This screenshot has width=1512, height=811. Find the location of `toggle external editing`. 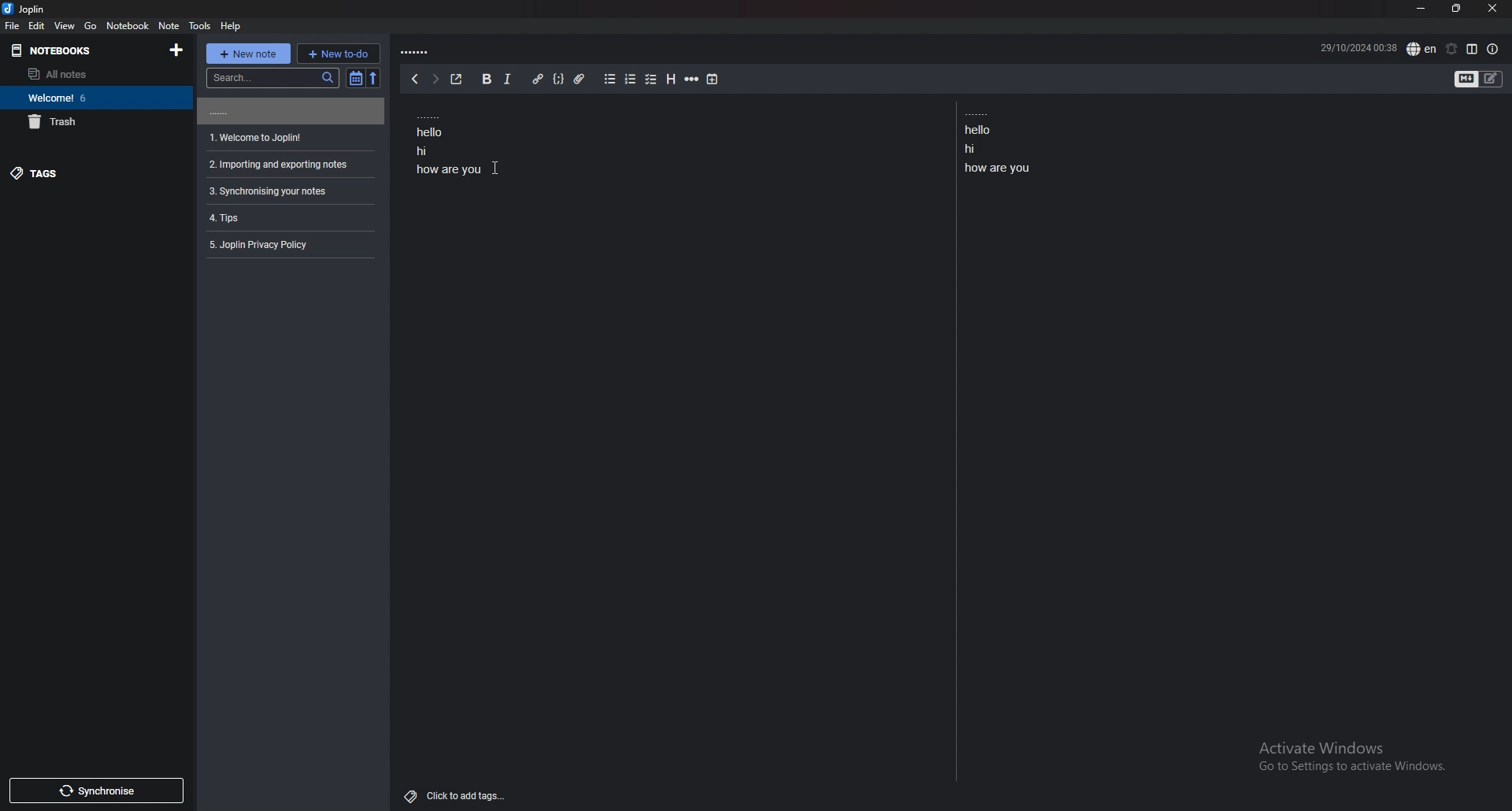

toggle external editing is located at coordinates (458, 80).